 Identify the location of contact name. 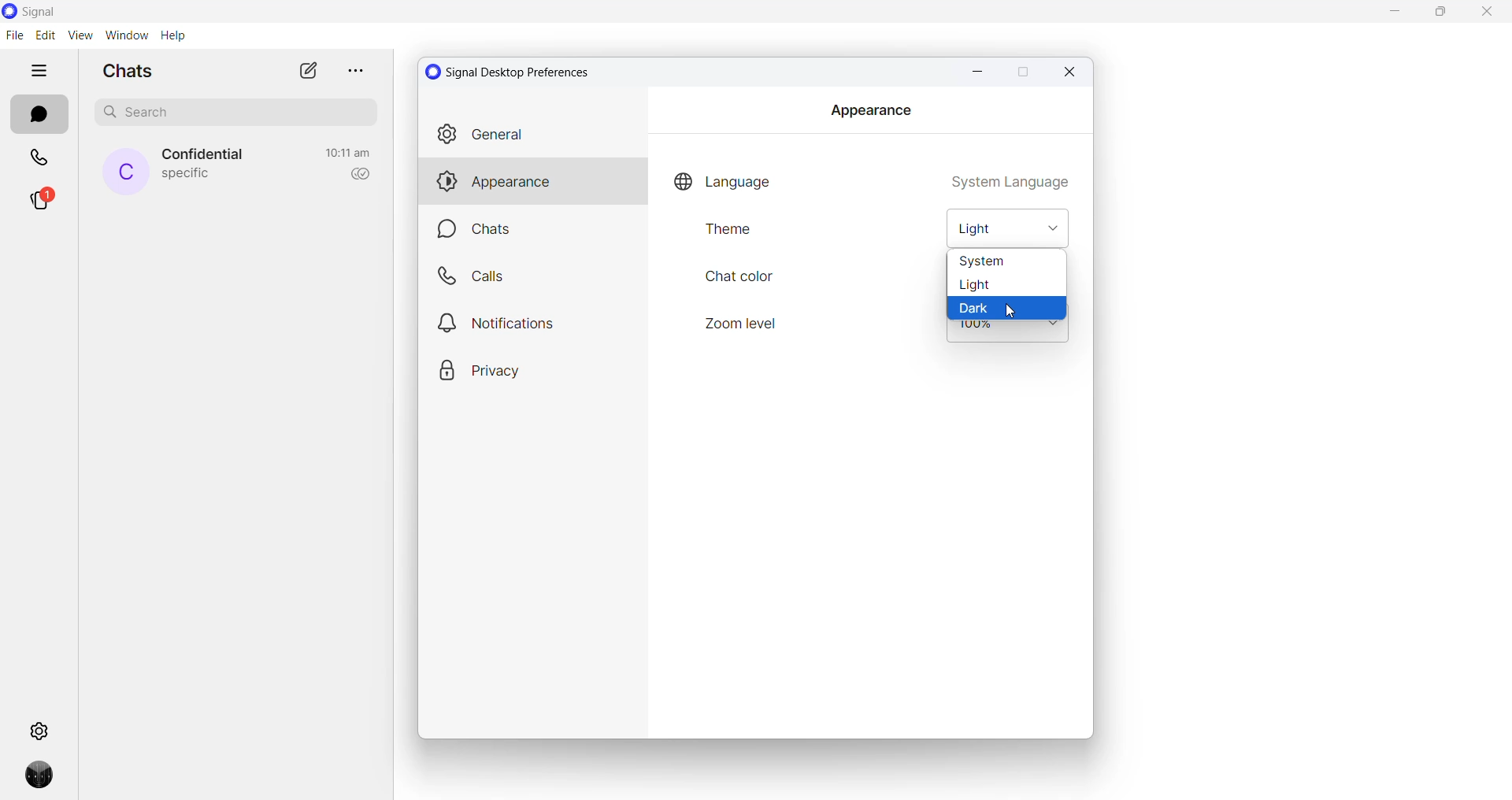
(206, 155).